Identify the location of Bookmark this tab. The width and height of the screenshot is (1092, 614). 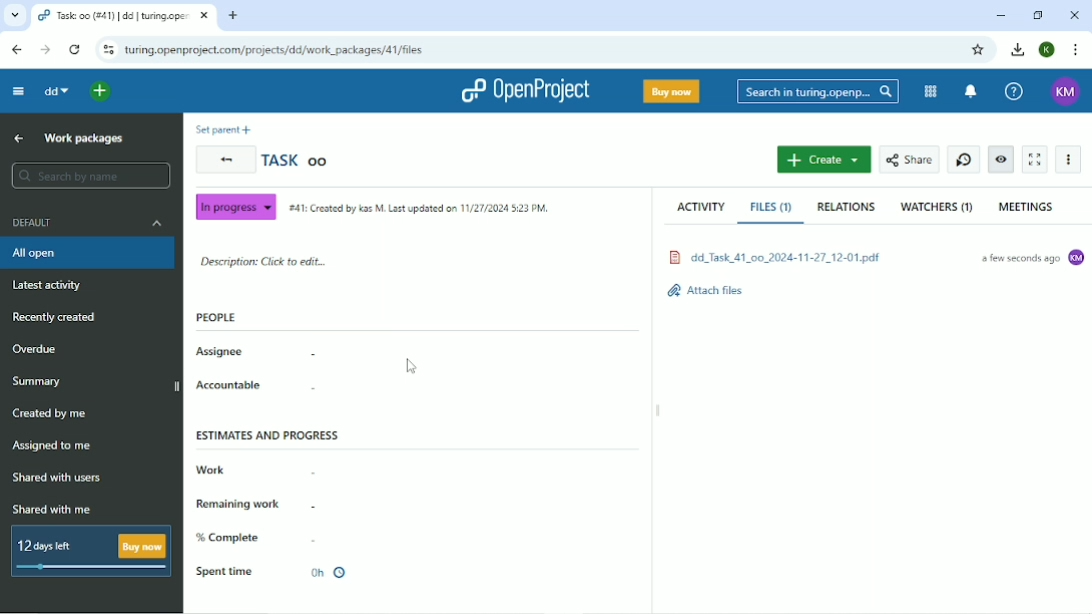
(979, 50).